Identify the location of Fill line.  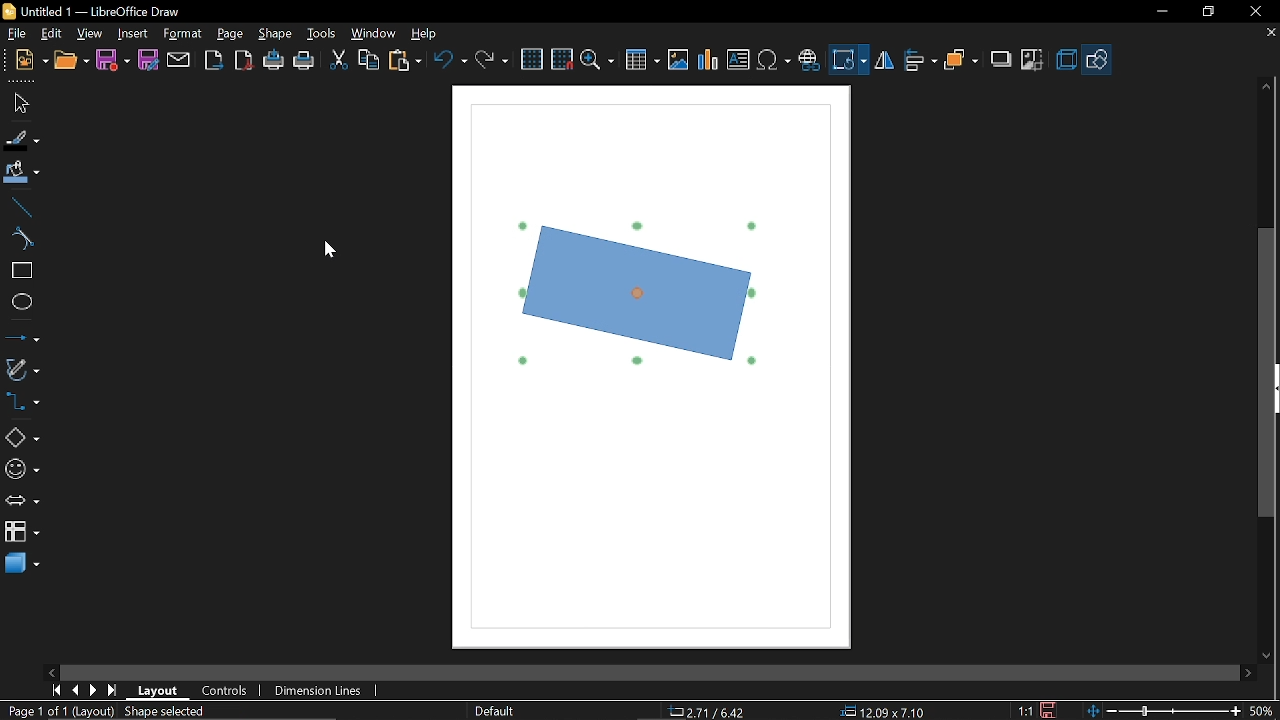
(21, 140).